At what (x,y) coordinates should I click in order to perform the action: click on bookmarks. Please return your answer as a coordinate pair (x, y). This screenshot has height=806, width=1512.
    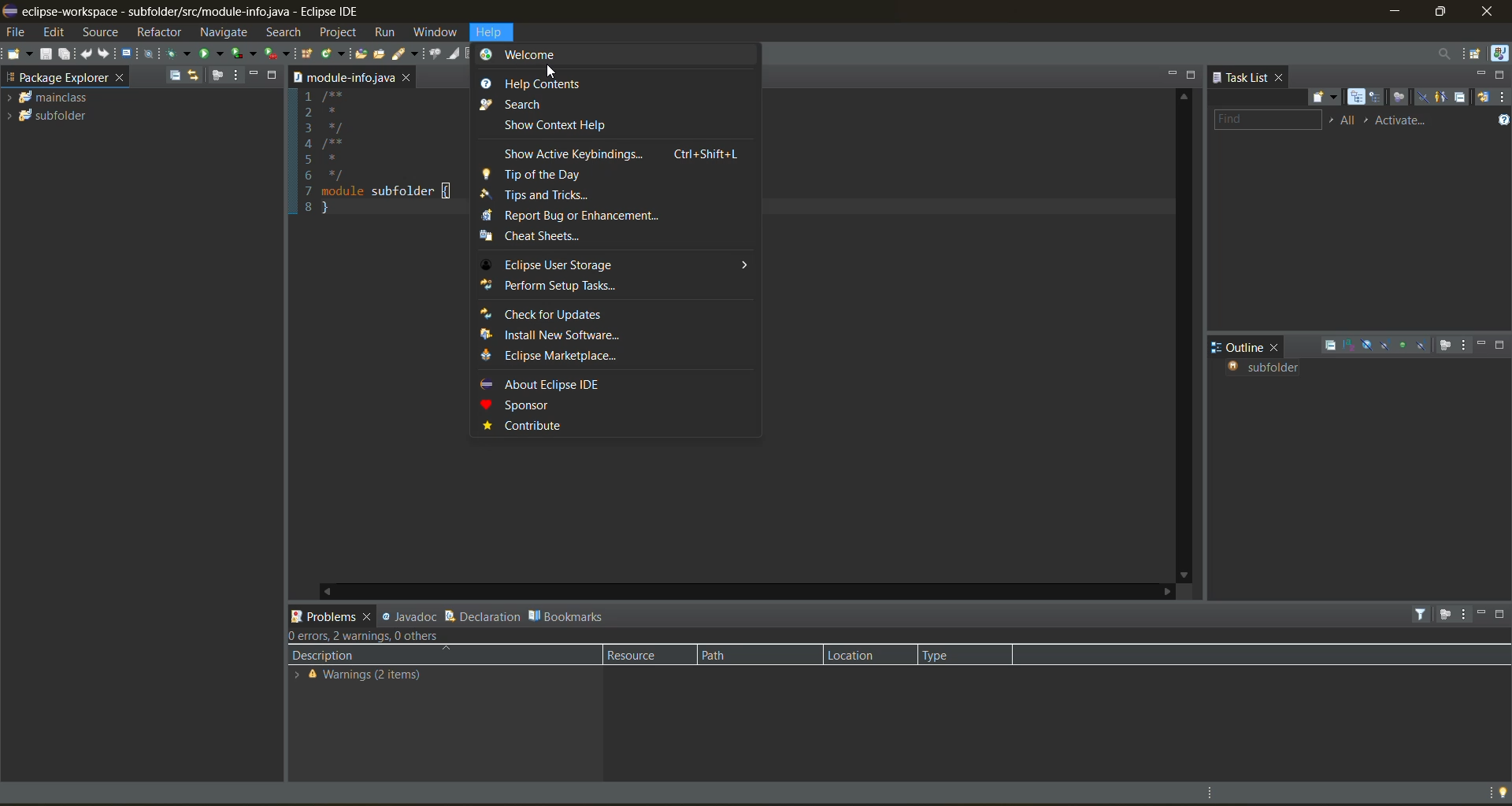
    Looking at the image, I should click on (570, 616).